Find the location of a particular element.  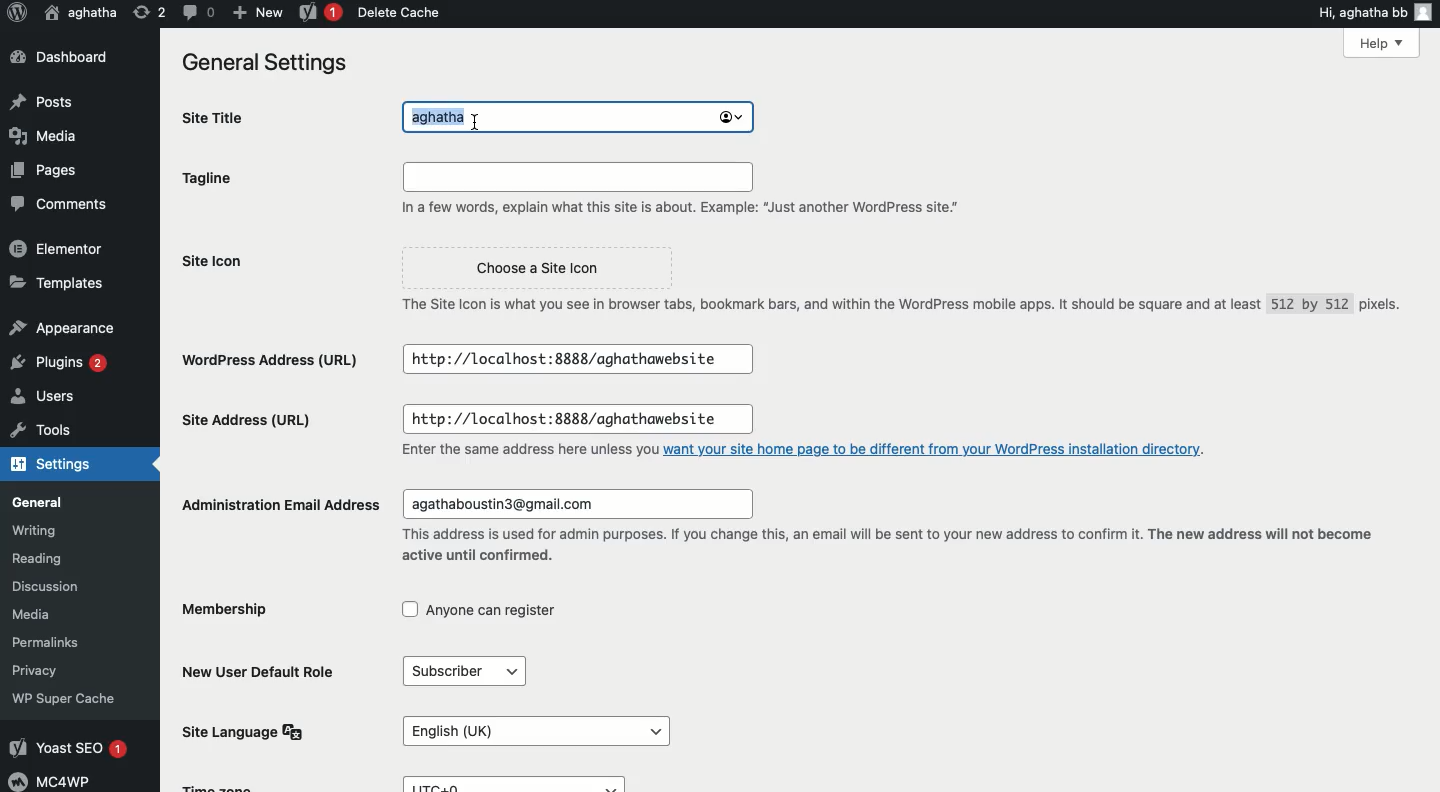

Permalinks is located at coordinates (50, 640).